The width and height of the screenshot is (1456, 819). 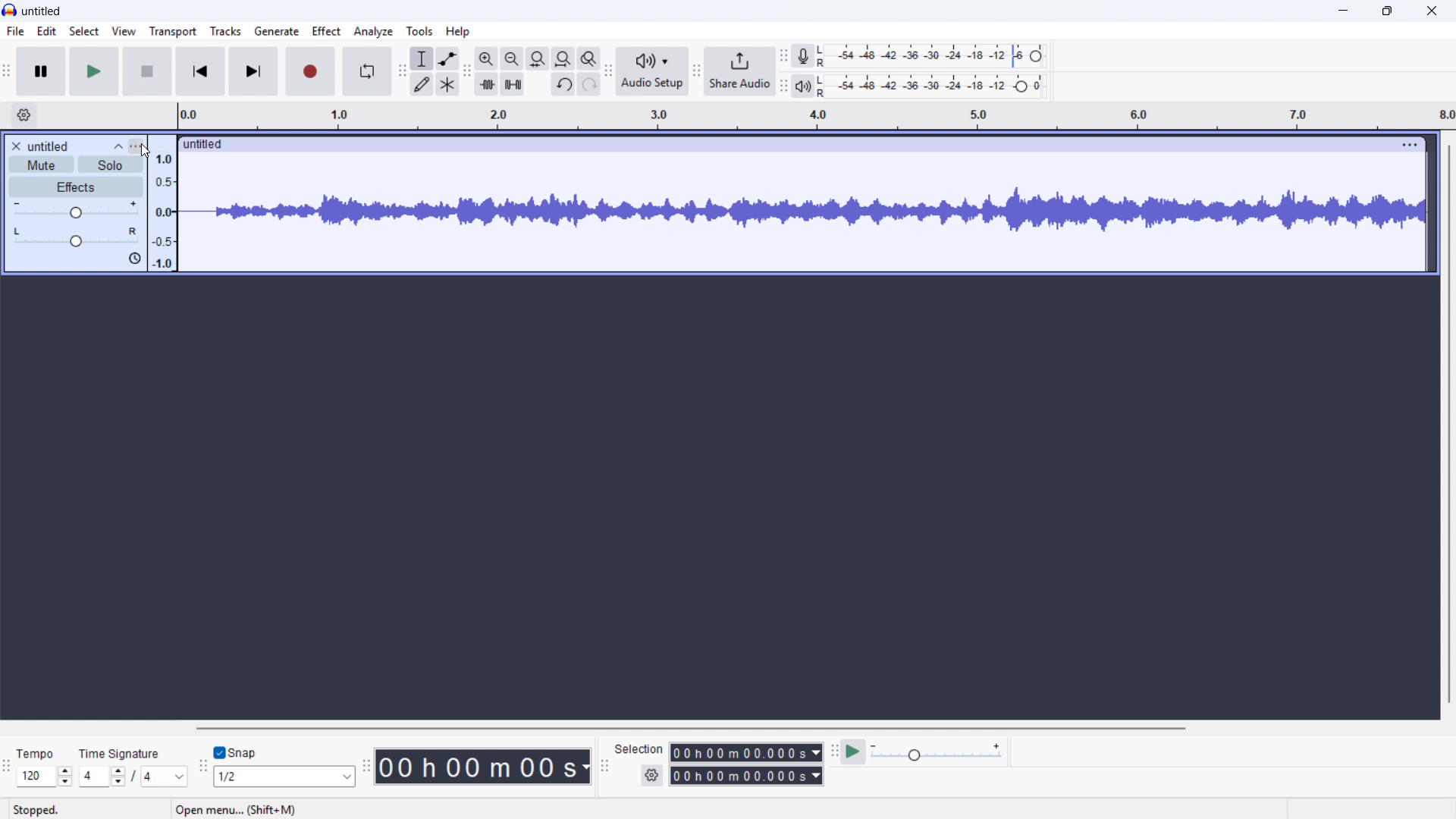 I want to click on Cursor , so click(x=145, y=152).